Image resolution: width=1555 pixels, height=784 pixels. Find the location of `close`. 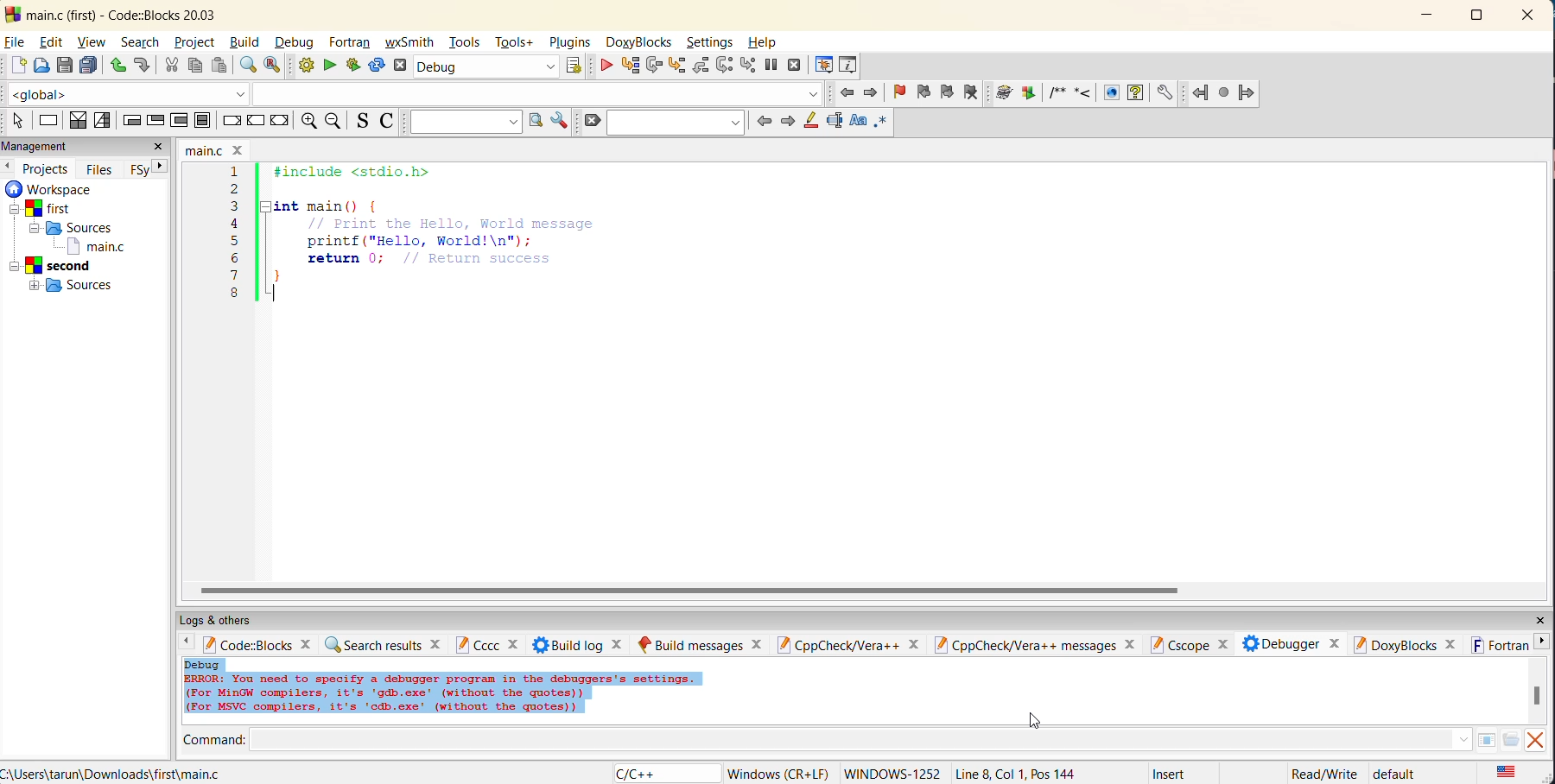

close is located at coordinates (158, 148).